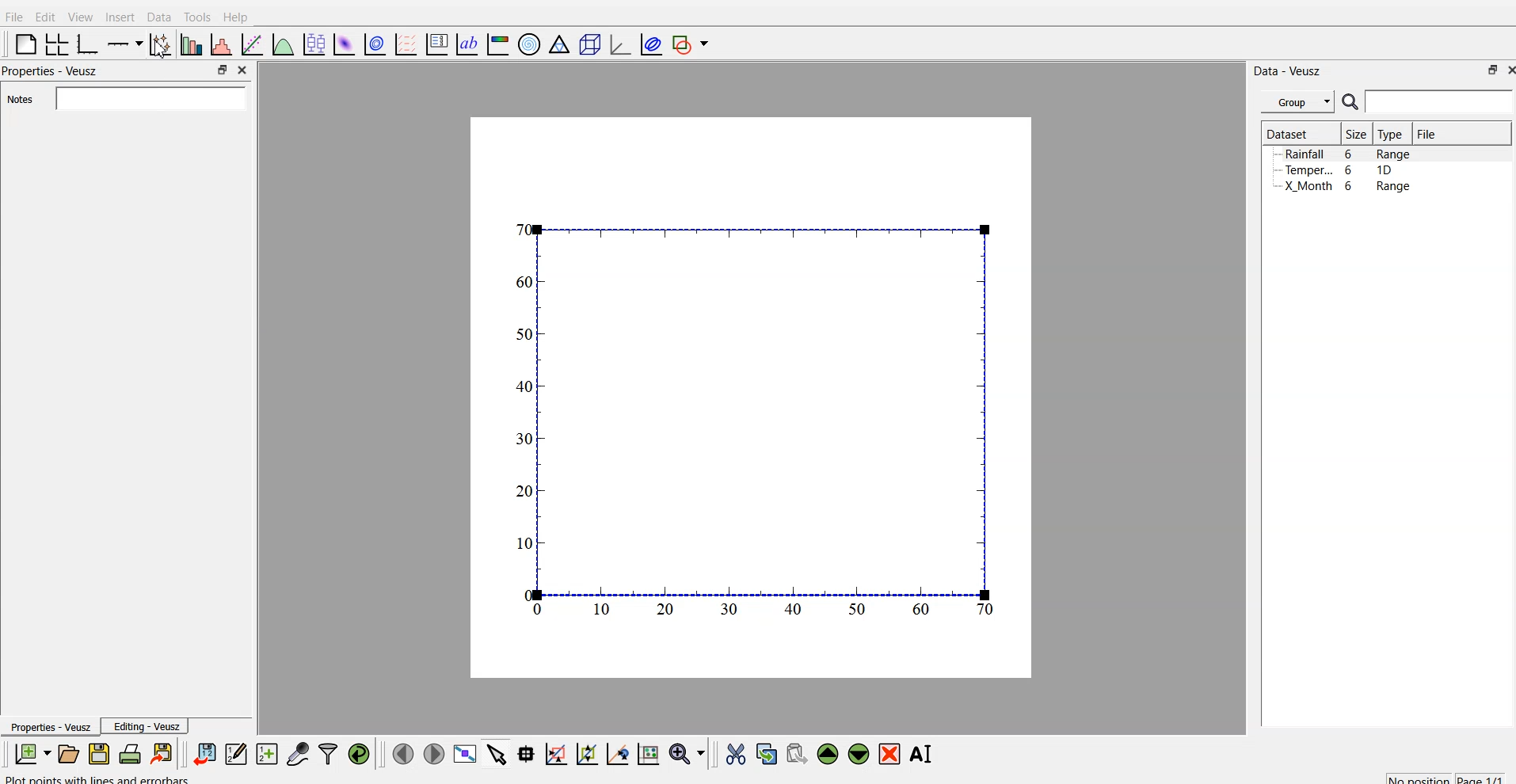  What do you see at coordinates (1338, 169) in the screenshot?
I see `Temper... 6 1D` at bounding box center [1338, 169].